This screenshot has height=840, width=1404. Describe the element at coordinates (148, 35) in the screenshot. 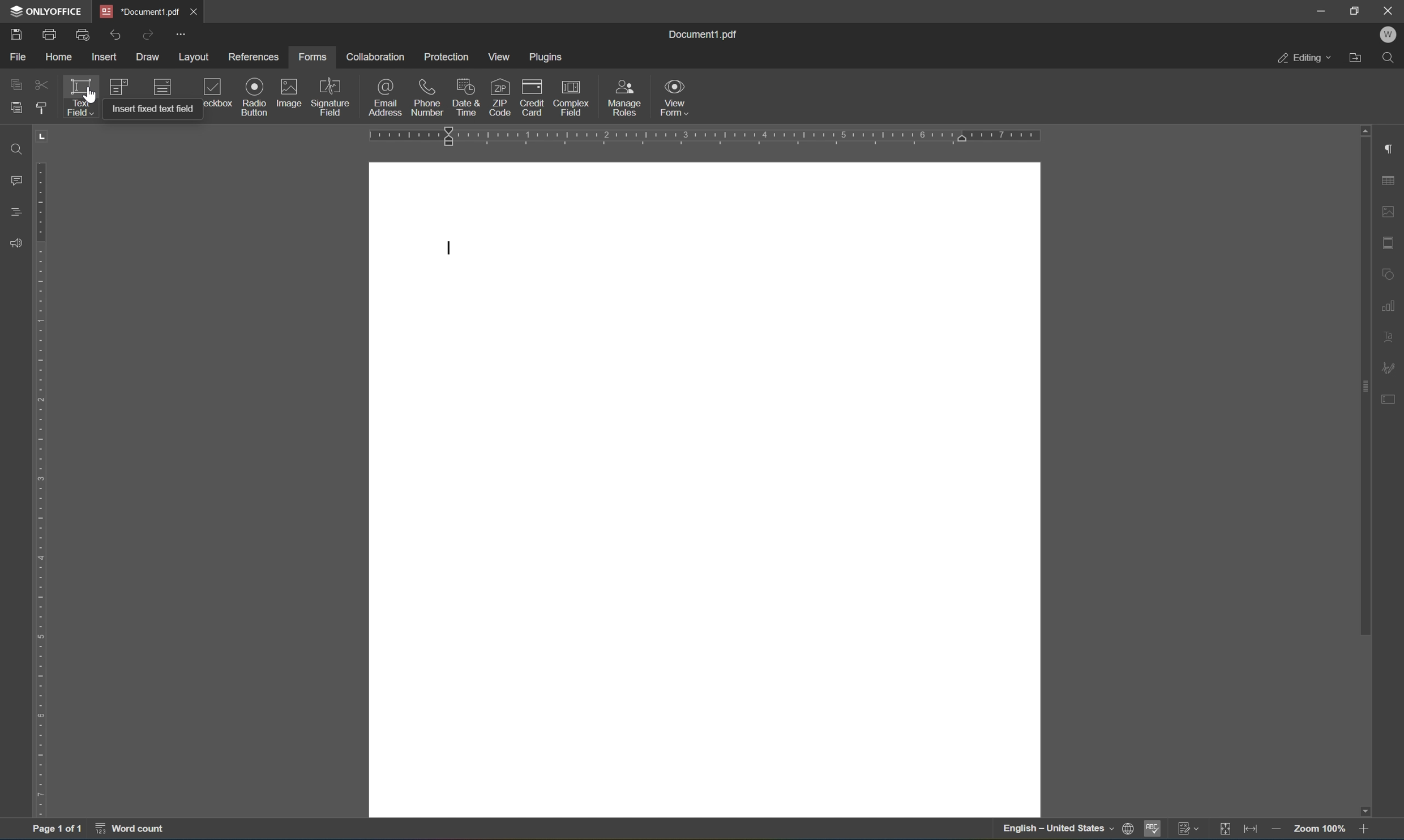

I see `redo` at that location.